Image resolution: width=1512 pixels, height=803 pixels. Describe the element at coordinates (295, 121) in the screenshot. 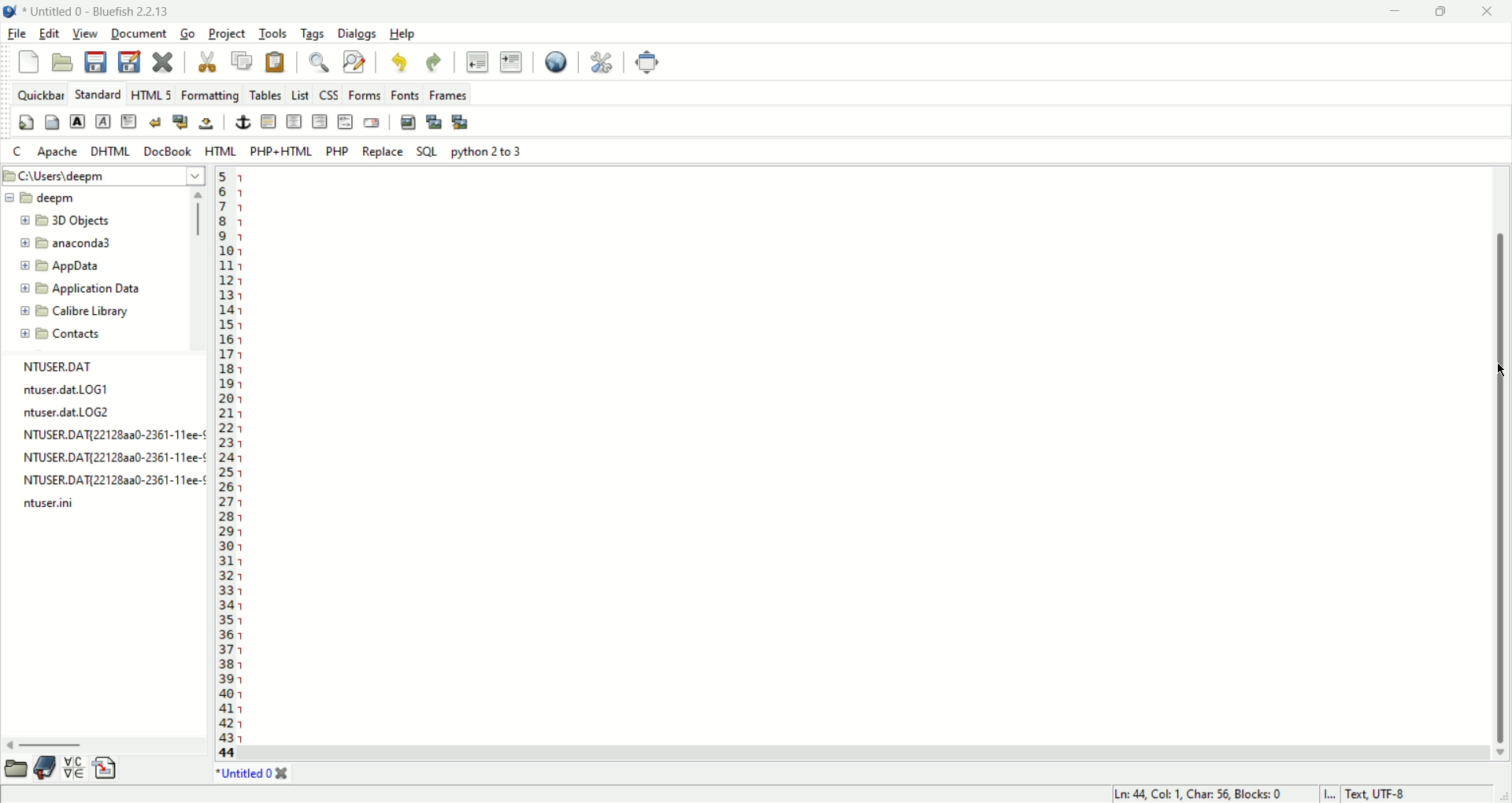

I see `center` at that location.